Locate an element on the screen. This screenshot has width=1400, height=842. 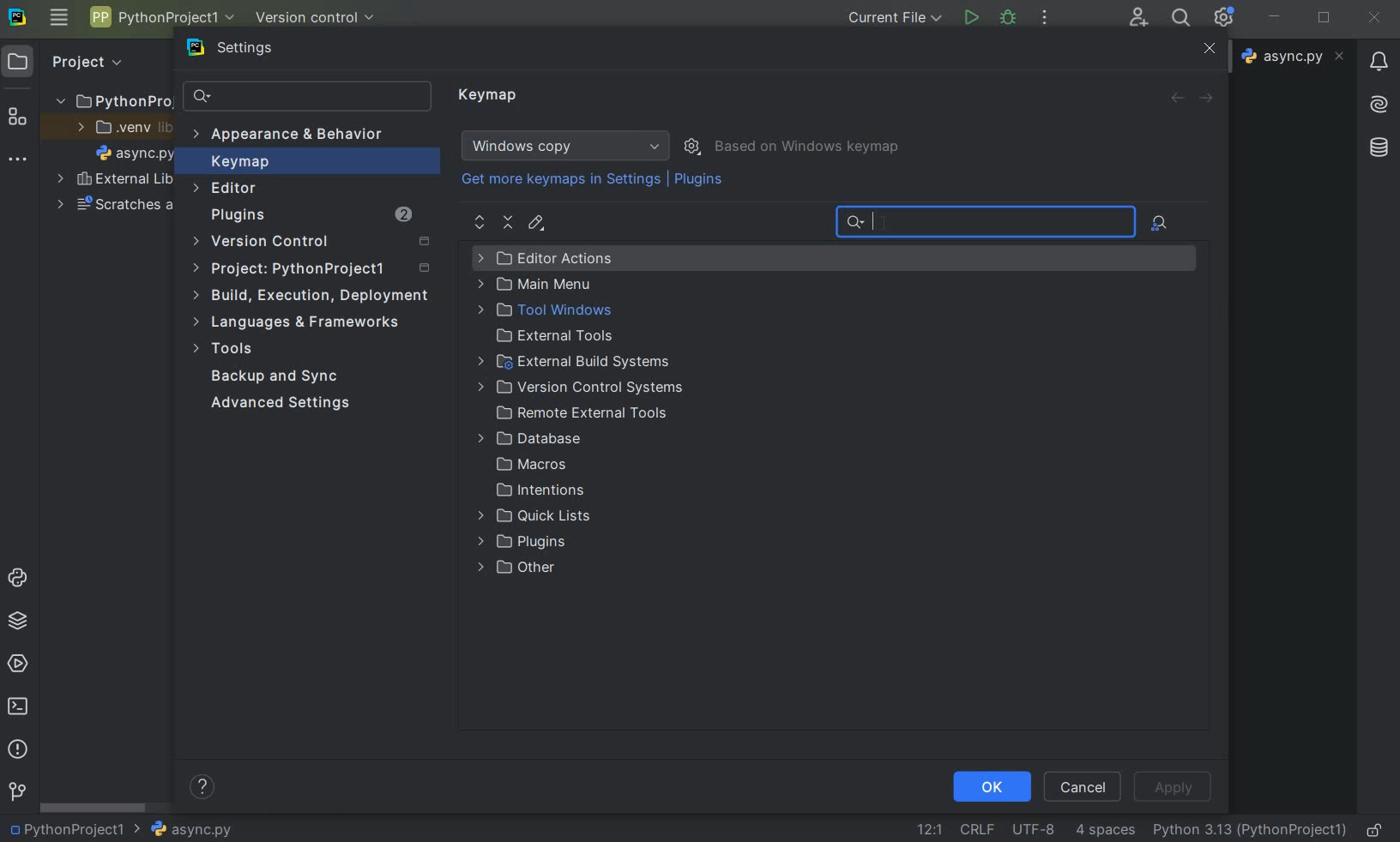
structure is located at coordinates (18, 118).